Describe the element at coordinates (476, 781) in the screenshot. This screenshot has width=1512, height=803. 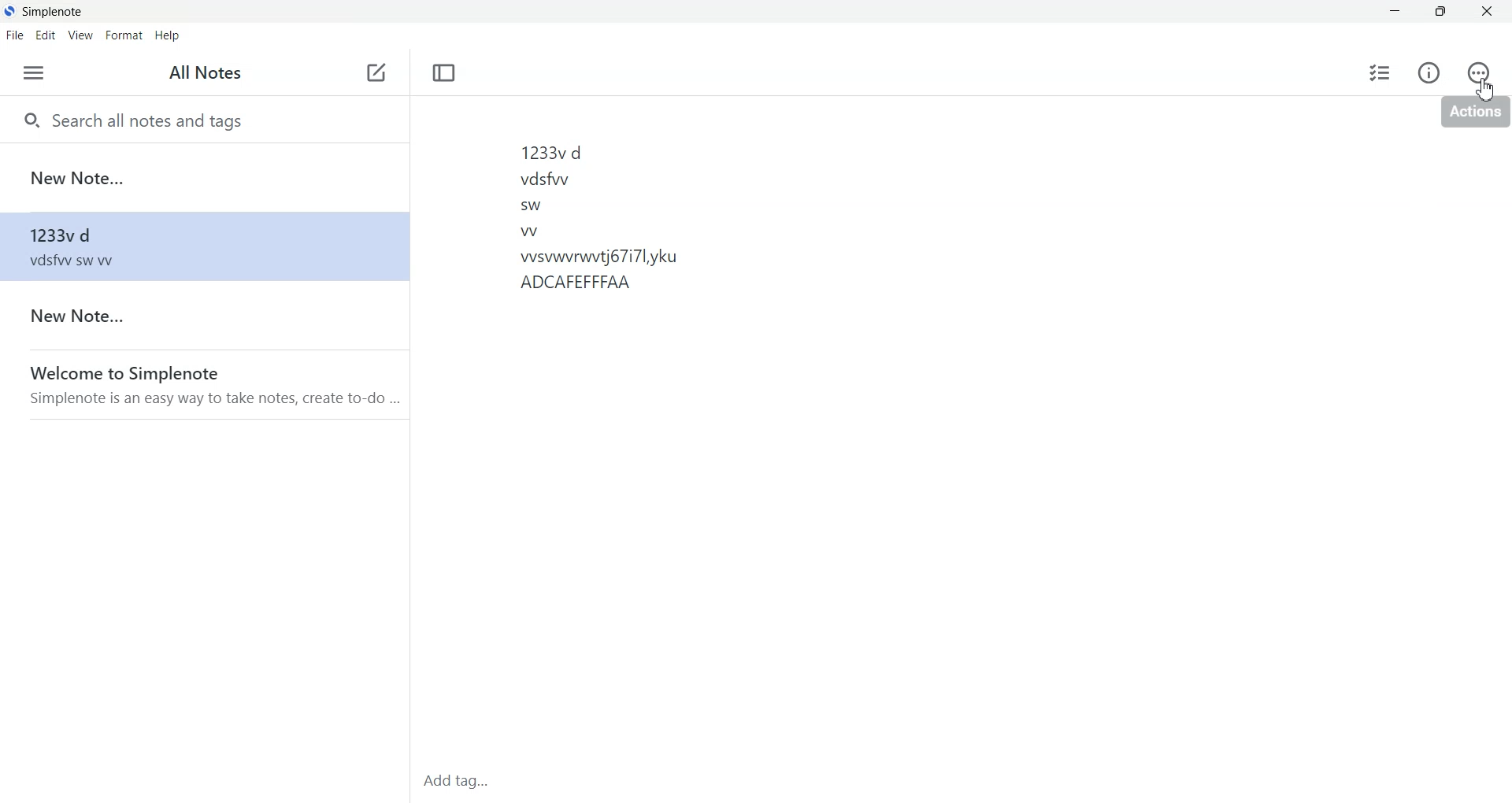
I see `Add tag` at that location.